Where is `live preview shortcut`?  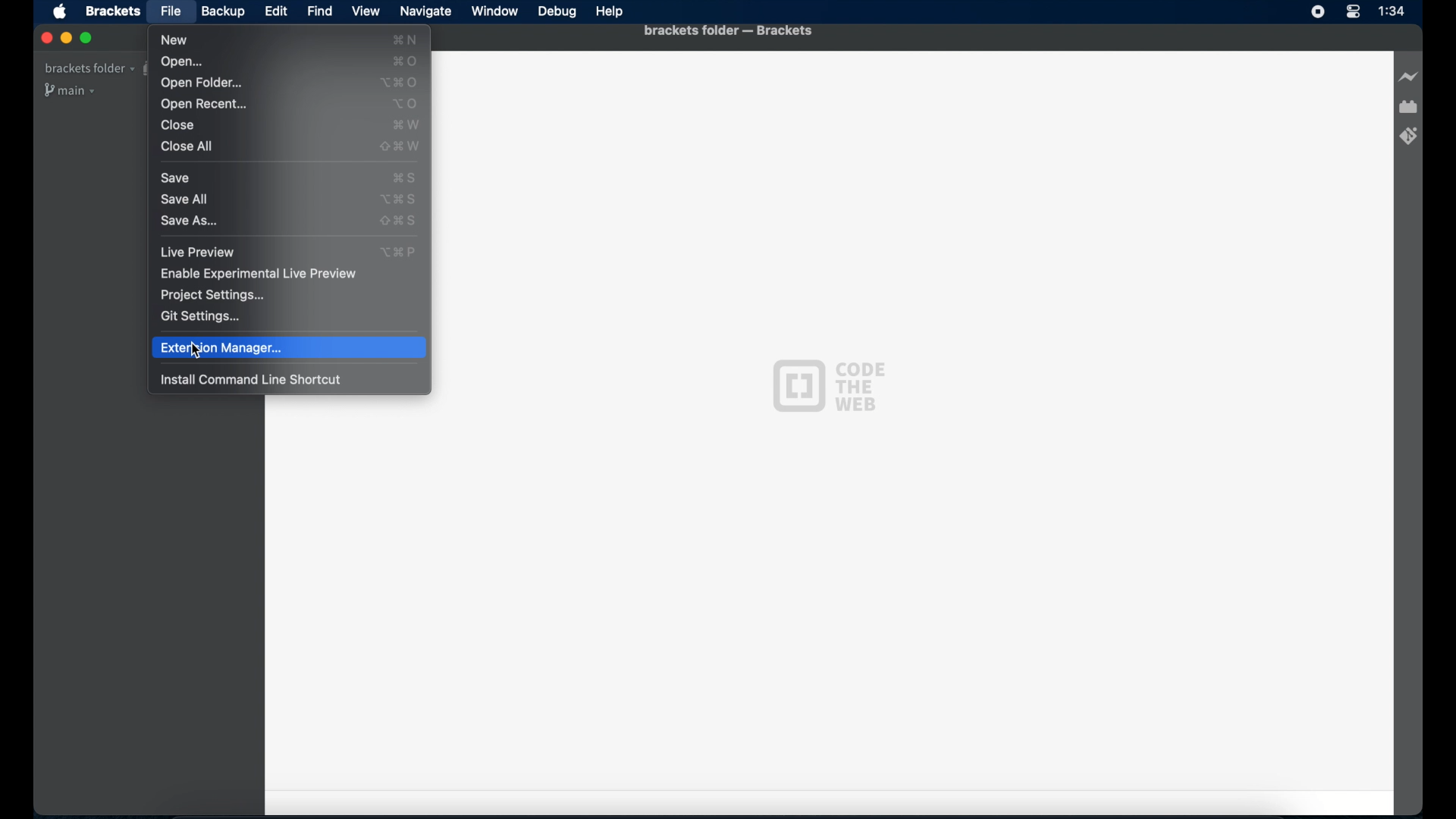 live preview shortcut is located at coordinates (397, 253).